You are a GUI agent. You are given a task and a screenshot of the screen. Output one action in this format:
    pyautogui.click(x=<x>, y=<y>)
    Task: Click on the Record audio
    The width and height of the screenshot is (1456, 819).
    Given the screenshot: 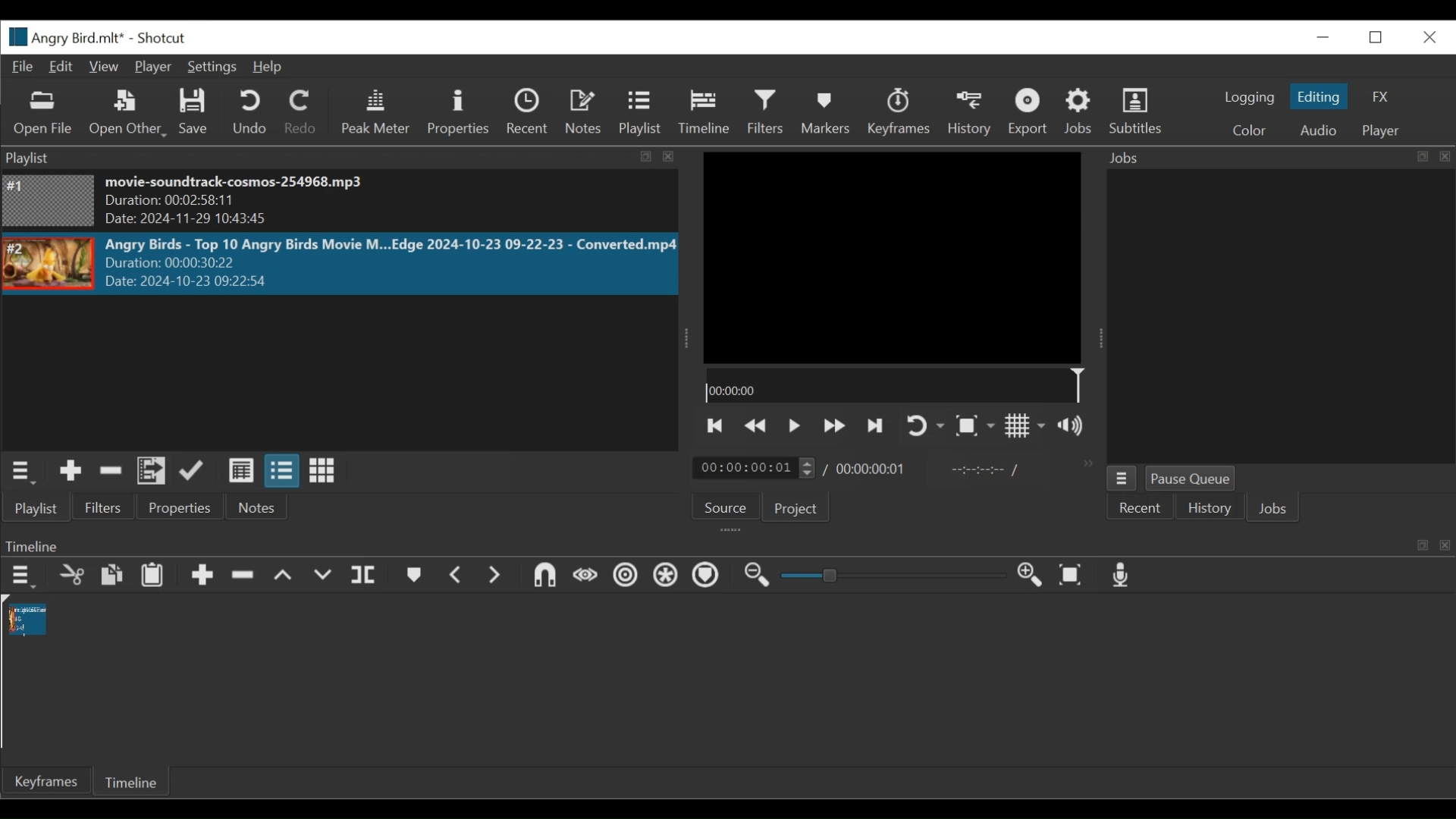 What is the action you would take?
    pyautogui.click(x=1122, y=576)
    